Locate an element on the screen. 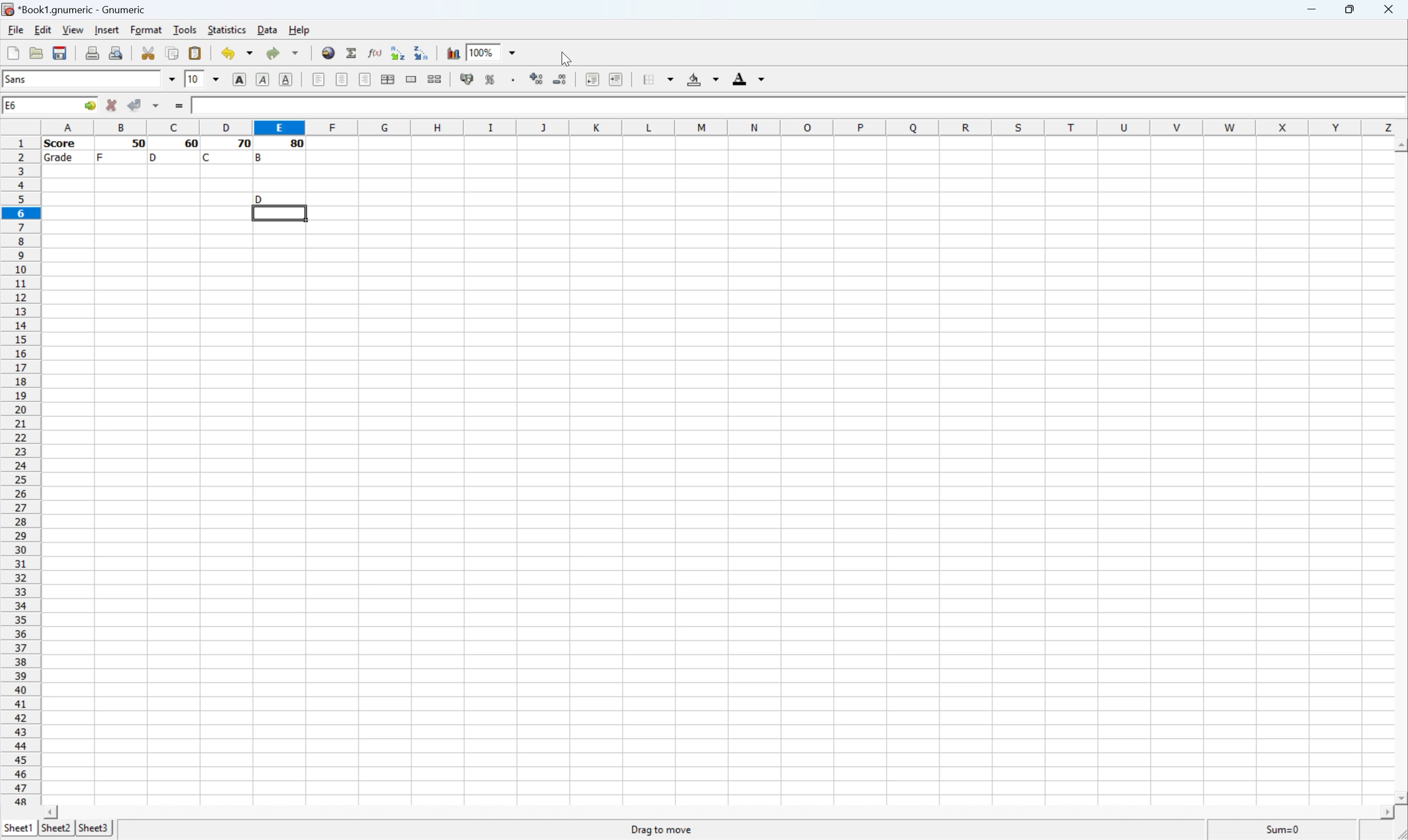 The image size is (1408, 840). Background is located at coordinates (706, 79).